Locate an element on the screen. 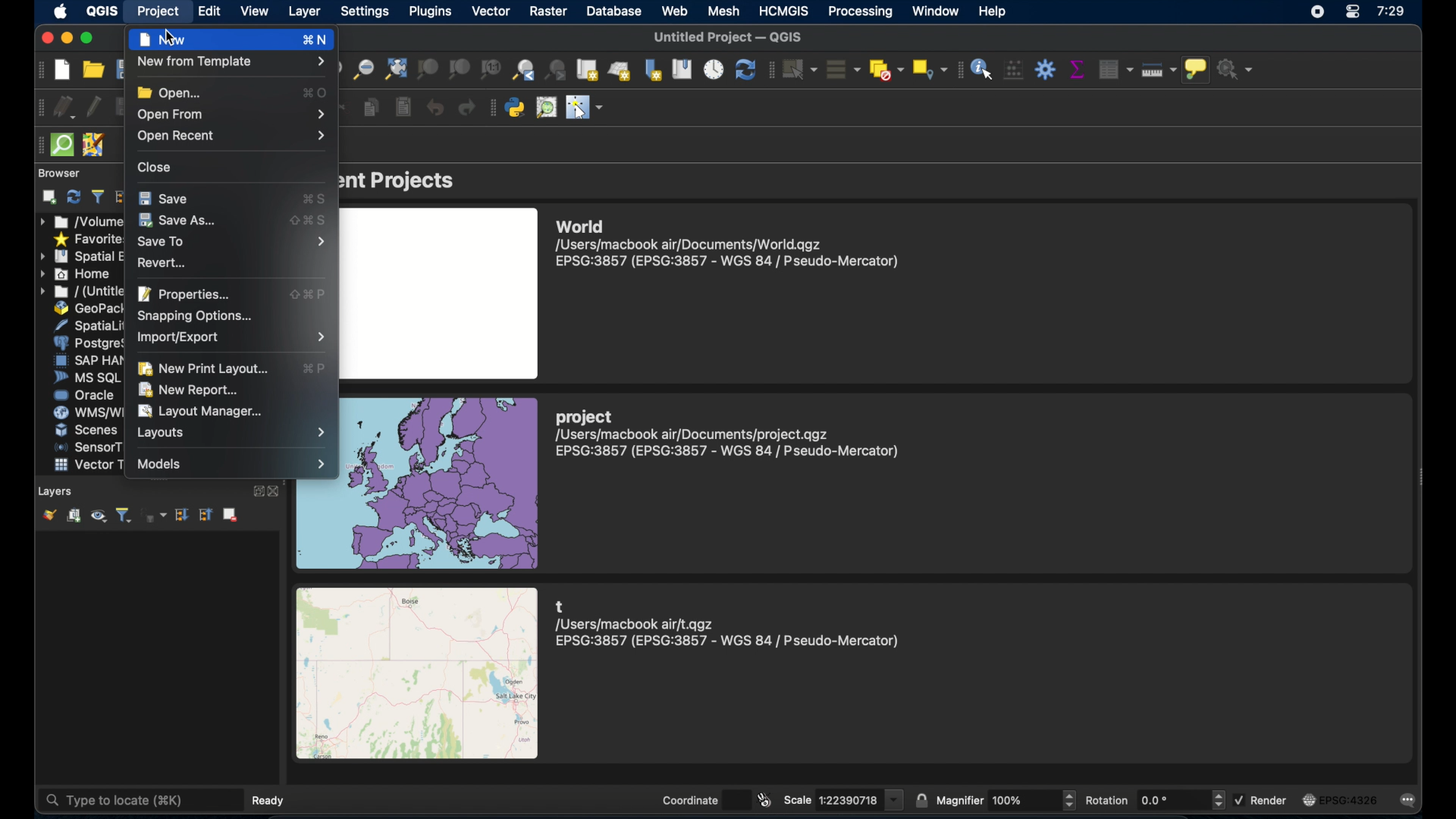 This screenshot has width=1456, height=819. open is located at coordinates (171, 91).